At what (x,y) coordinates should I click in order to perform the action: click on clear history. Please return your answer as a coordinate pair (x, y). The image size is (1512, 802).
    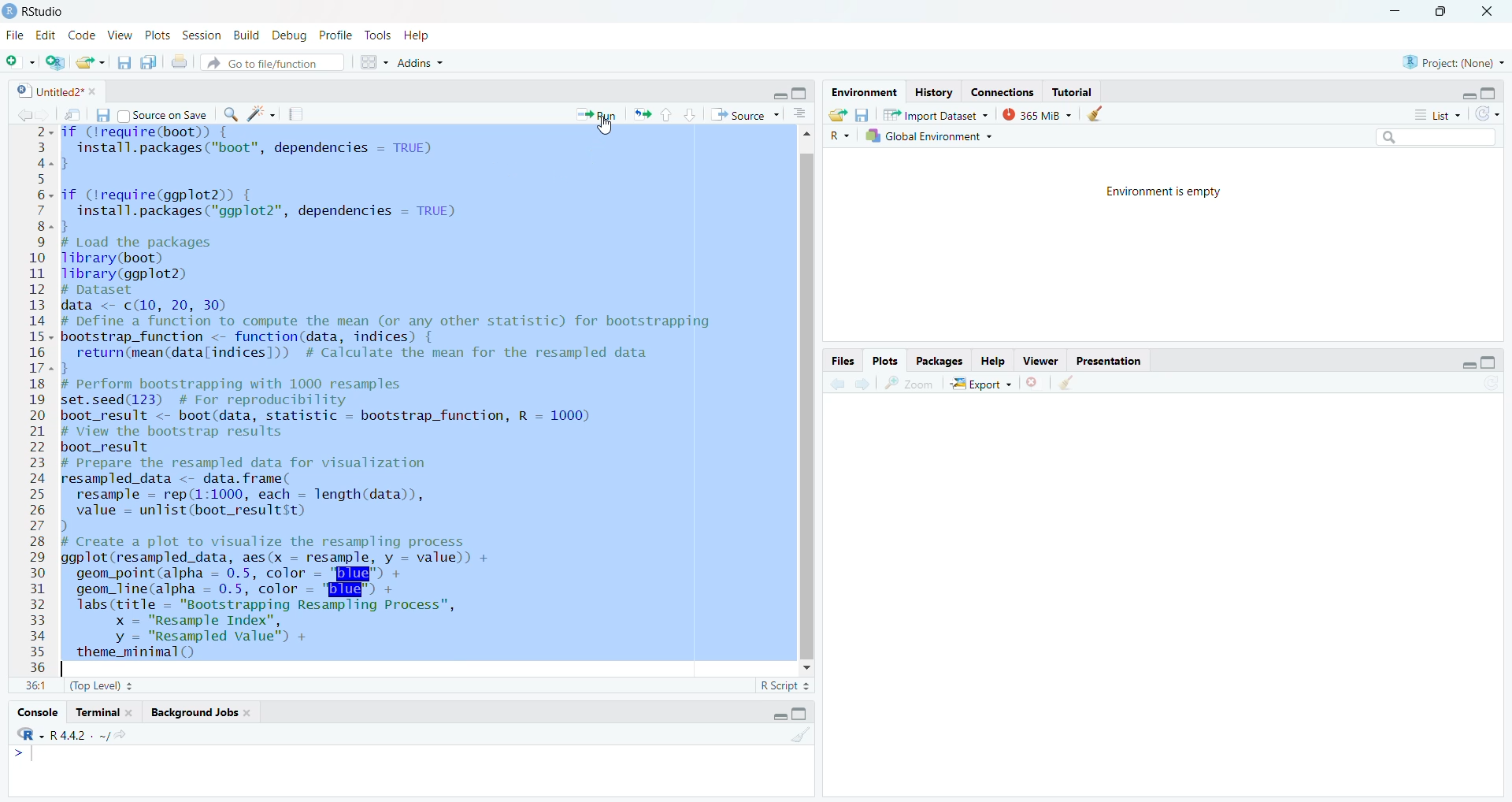
    Looking at the image, I should click on (1099, 114).